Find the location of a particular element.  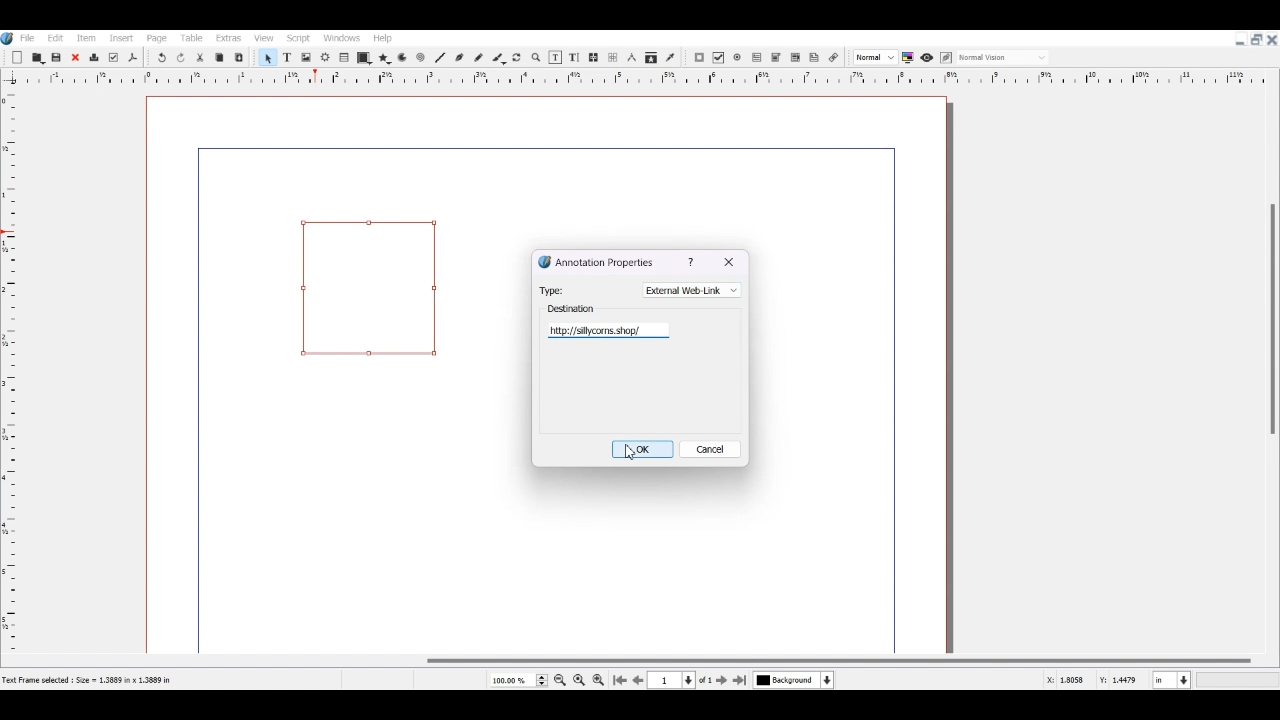

Extras is located at coordinates (228, 38).